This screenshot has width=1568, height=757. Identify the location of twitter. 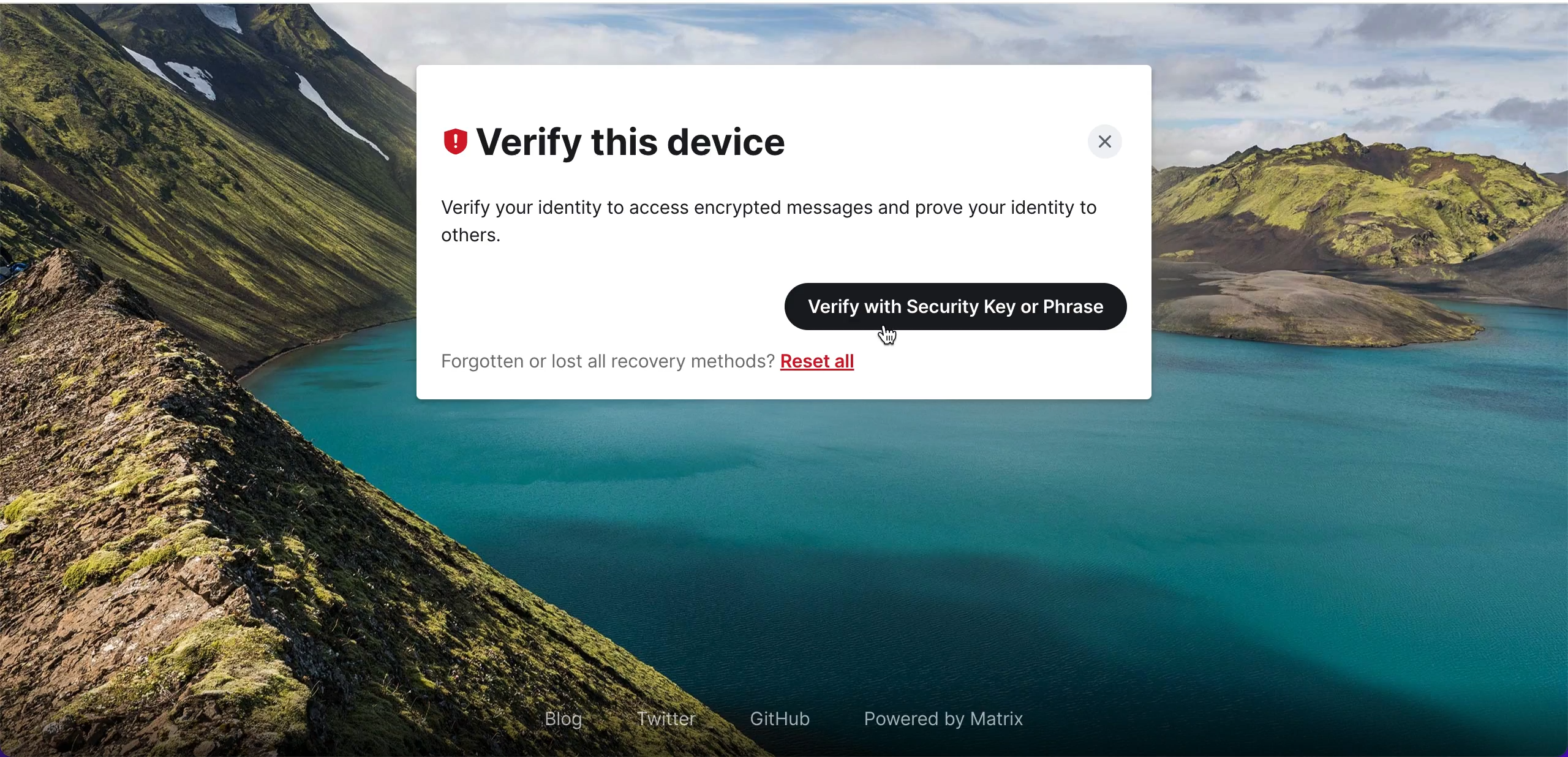
(658, 715).